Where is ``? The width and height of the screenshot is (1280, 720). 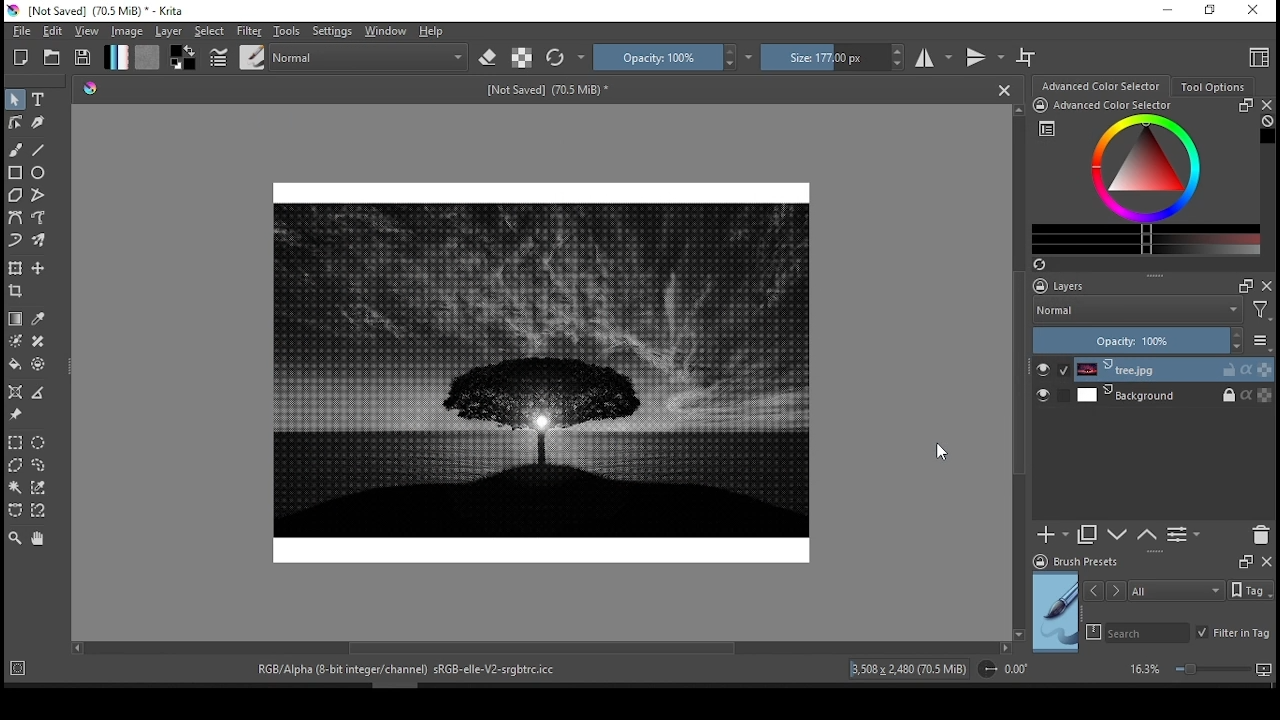
 is located at coordinates (1031, 58).